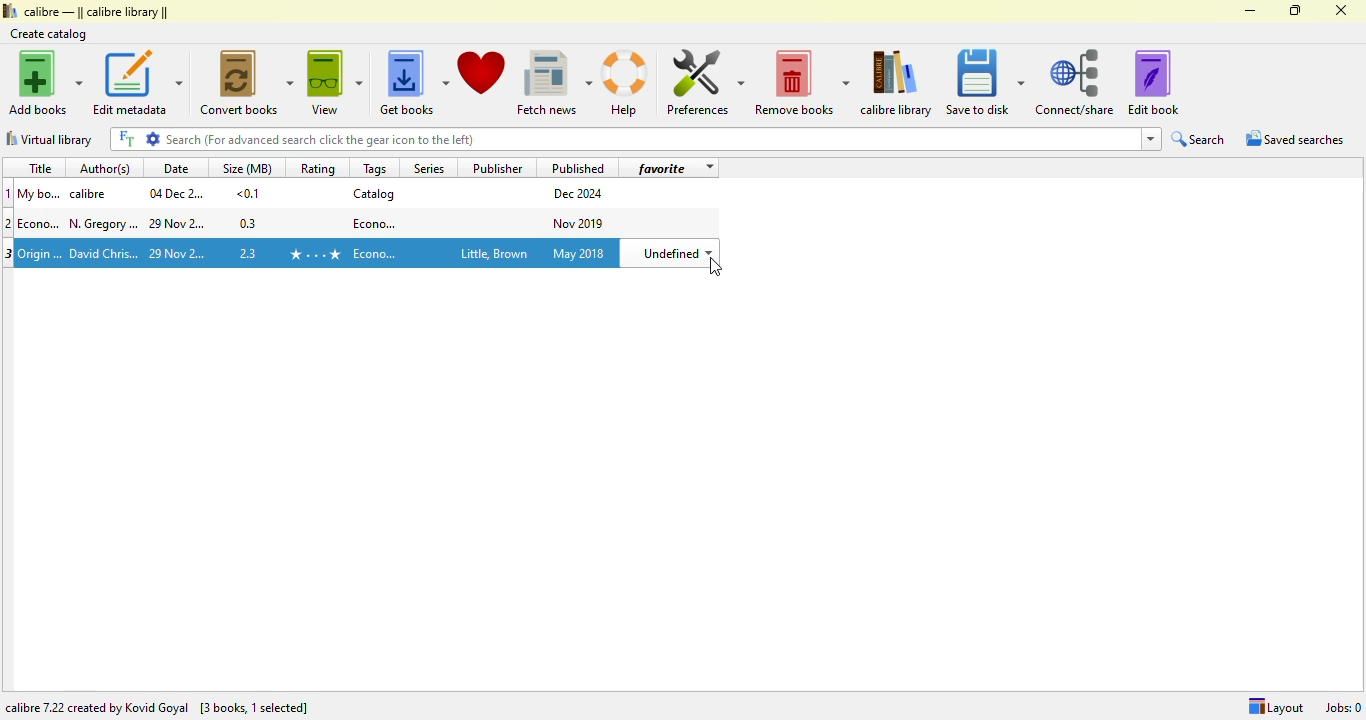 This screenshot has width=1366, height=720. Describe the element at coordinates (1295, 138) in the screenshot. I see `saved searches` at that location.